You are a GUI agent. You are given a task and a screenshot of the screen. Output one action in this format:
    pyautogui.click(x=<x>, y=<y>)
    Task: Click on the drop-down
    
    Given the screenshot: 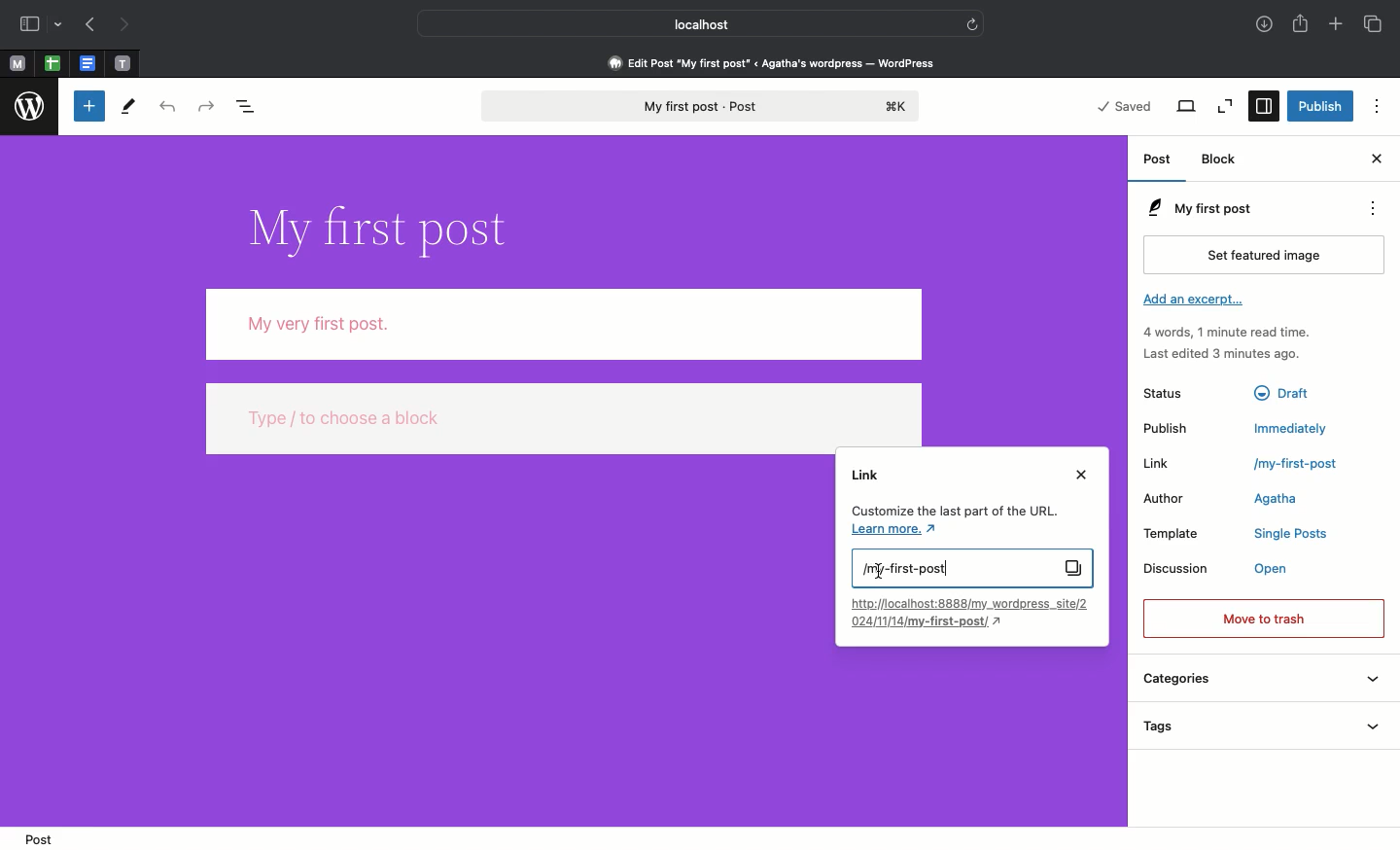 What is the action you would take?
    pyautogui.click(x=60, y=22)
    